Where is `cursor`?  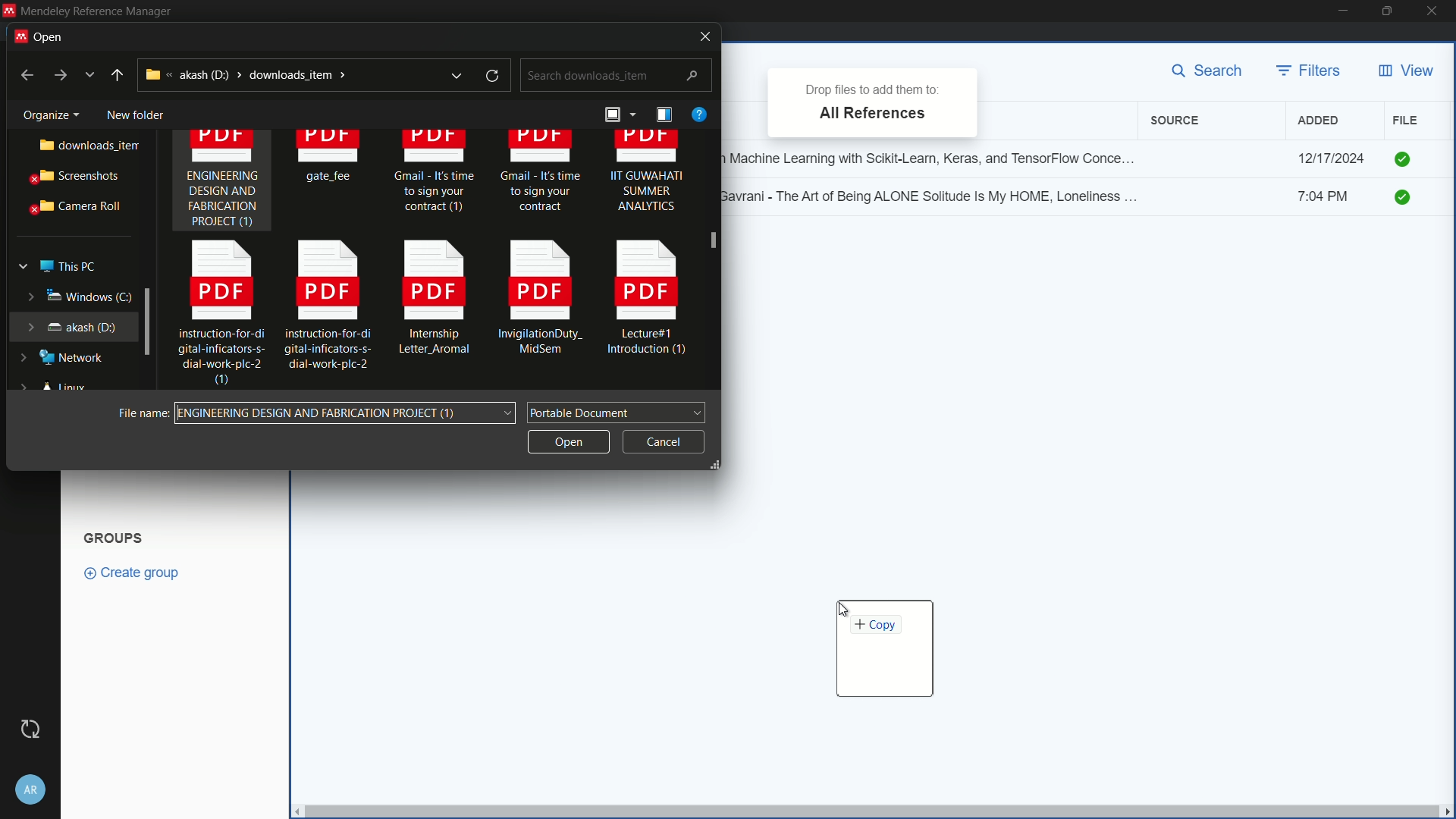 cursor is located at coordinates (846, 610).